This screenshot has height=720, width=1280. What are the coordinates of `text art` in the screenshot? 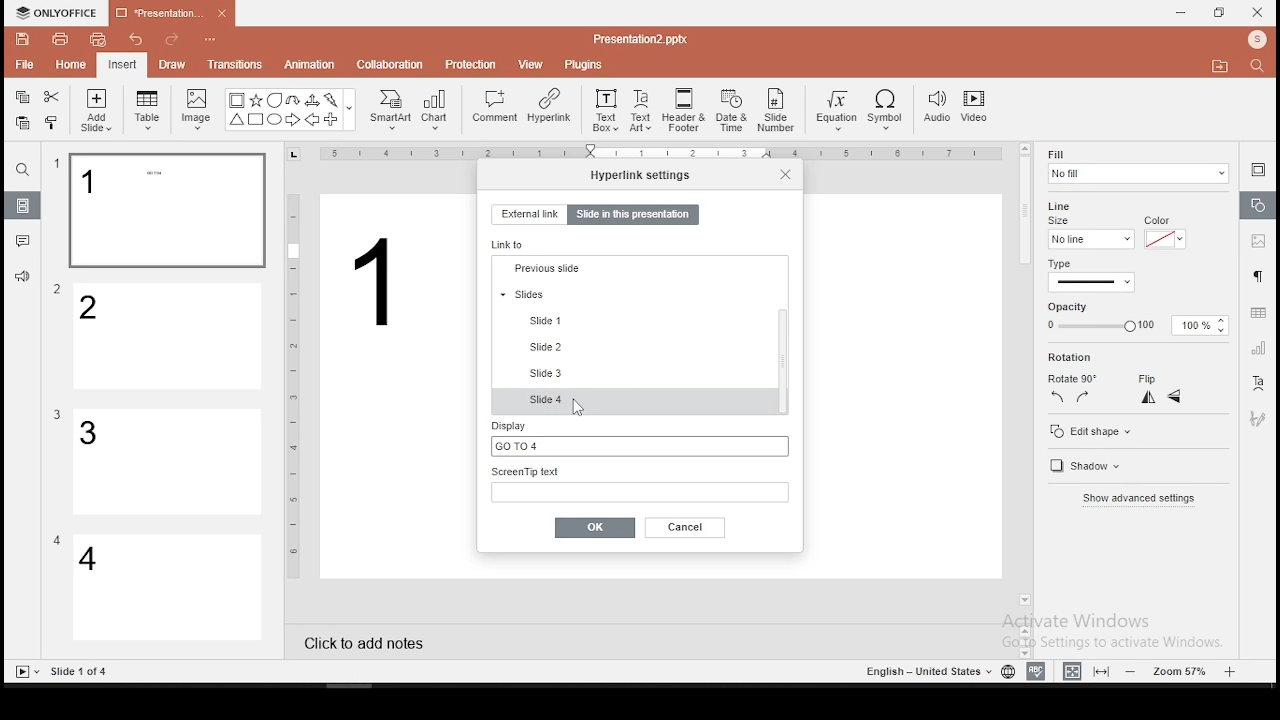 It's located at (641, 109).